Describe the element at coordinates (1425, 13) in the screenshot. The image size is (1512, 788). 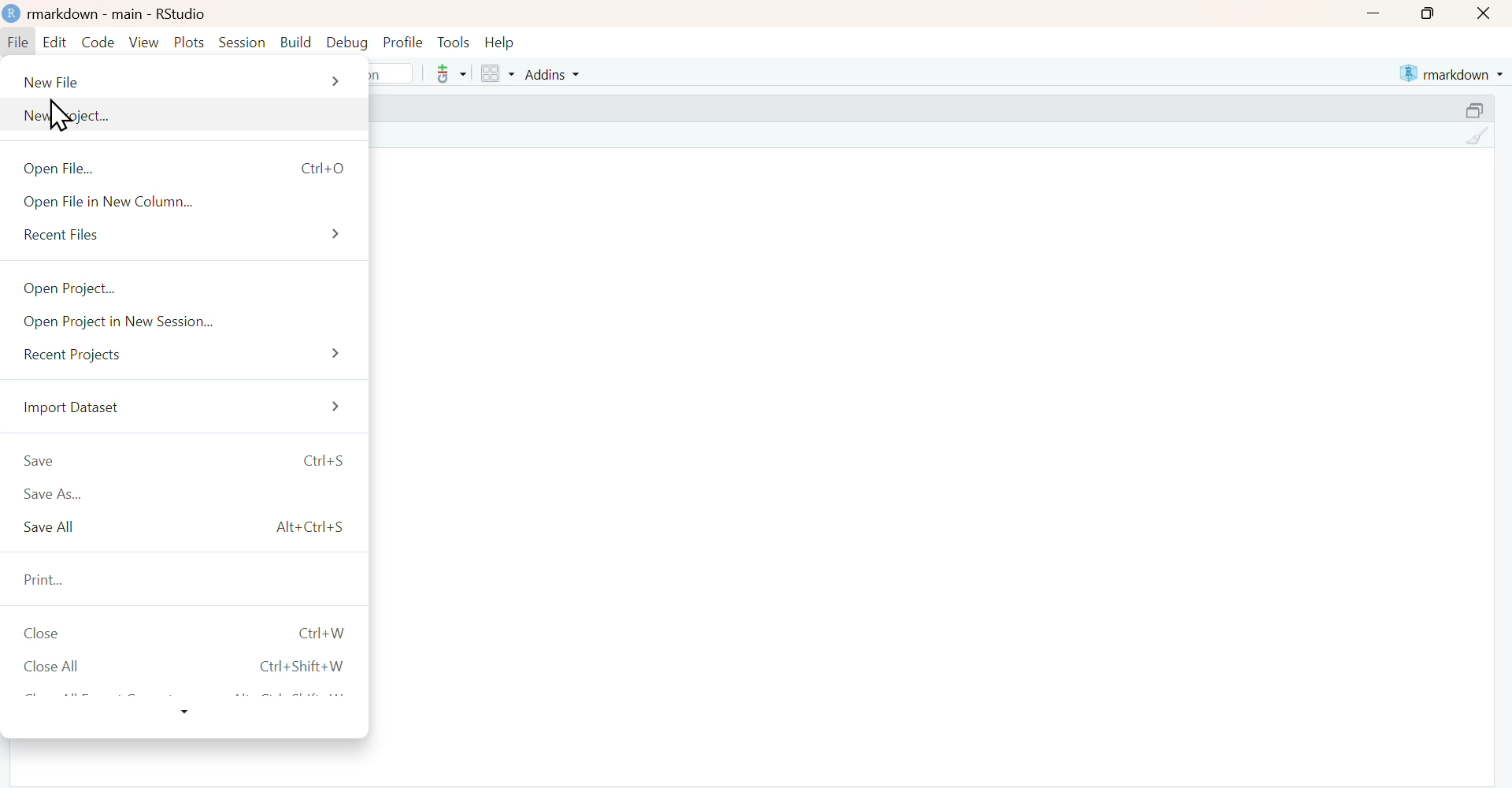
I see `maximize` at that location.